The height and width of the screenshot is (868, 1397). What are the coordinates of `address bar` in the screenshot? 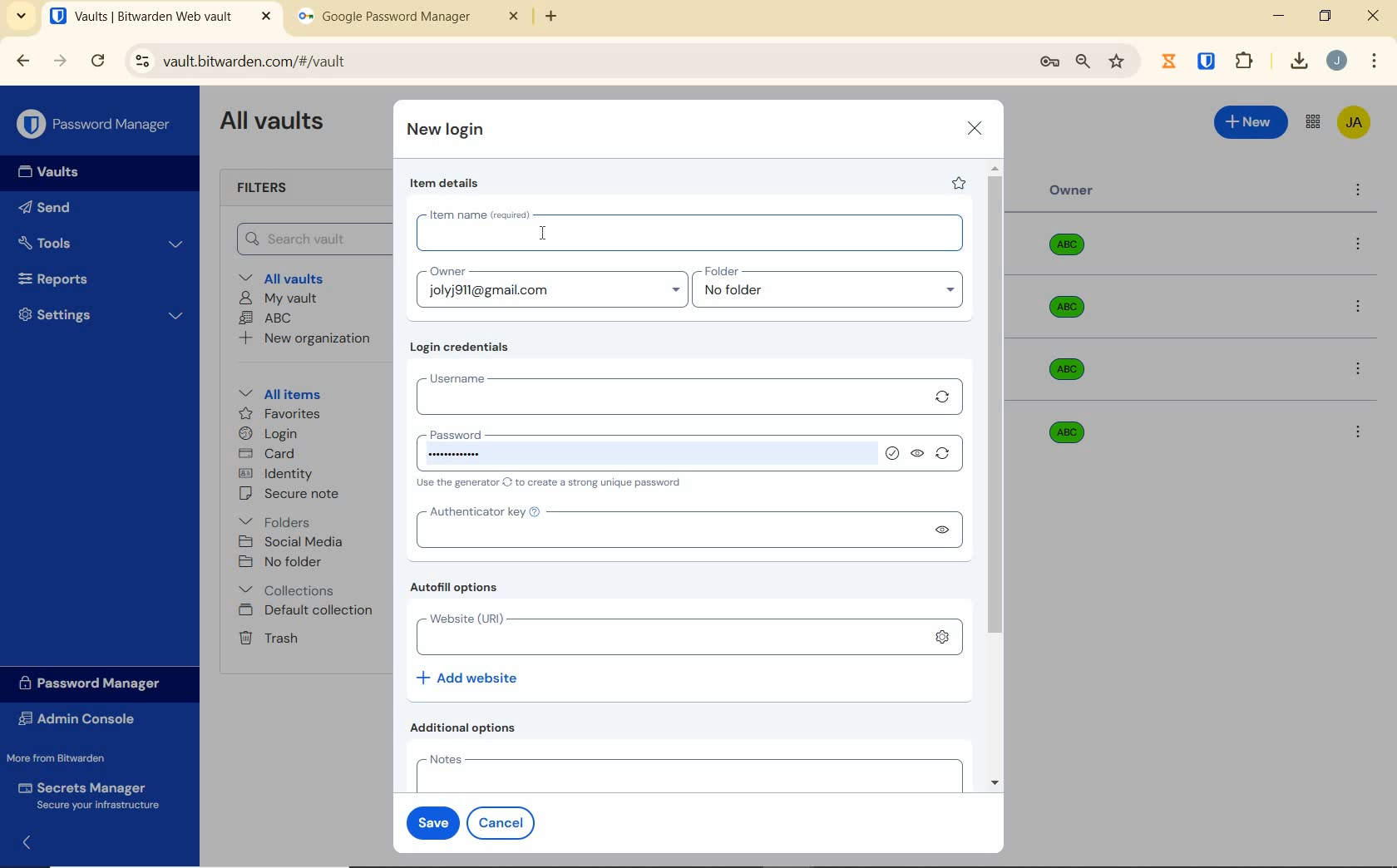 It's located at (573, 62).